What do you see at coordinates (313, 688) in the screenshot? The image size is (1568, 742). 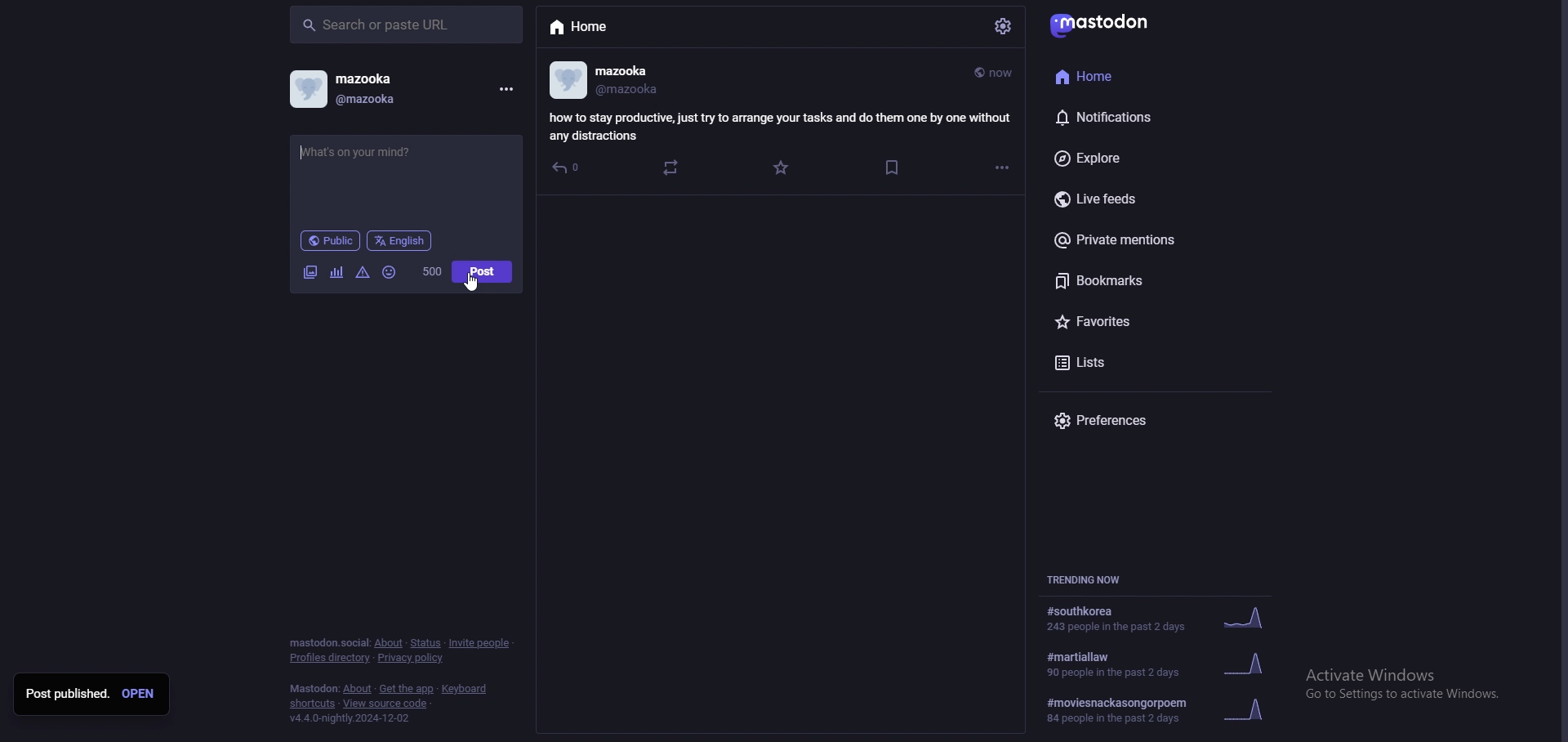 I see `mastodon` at bounding box center [313, 688].